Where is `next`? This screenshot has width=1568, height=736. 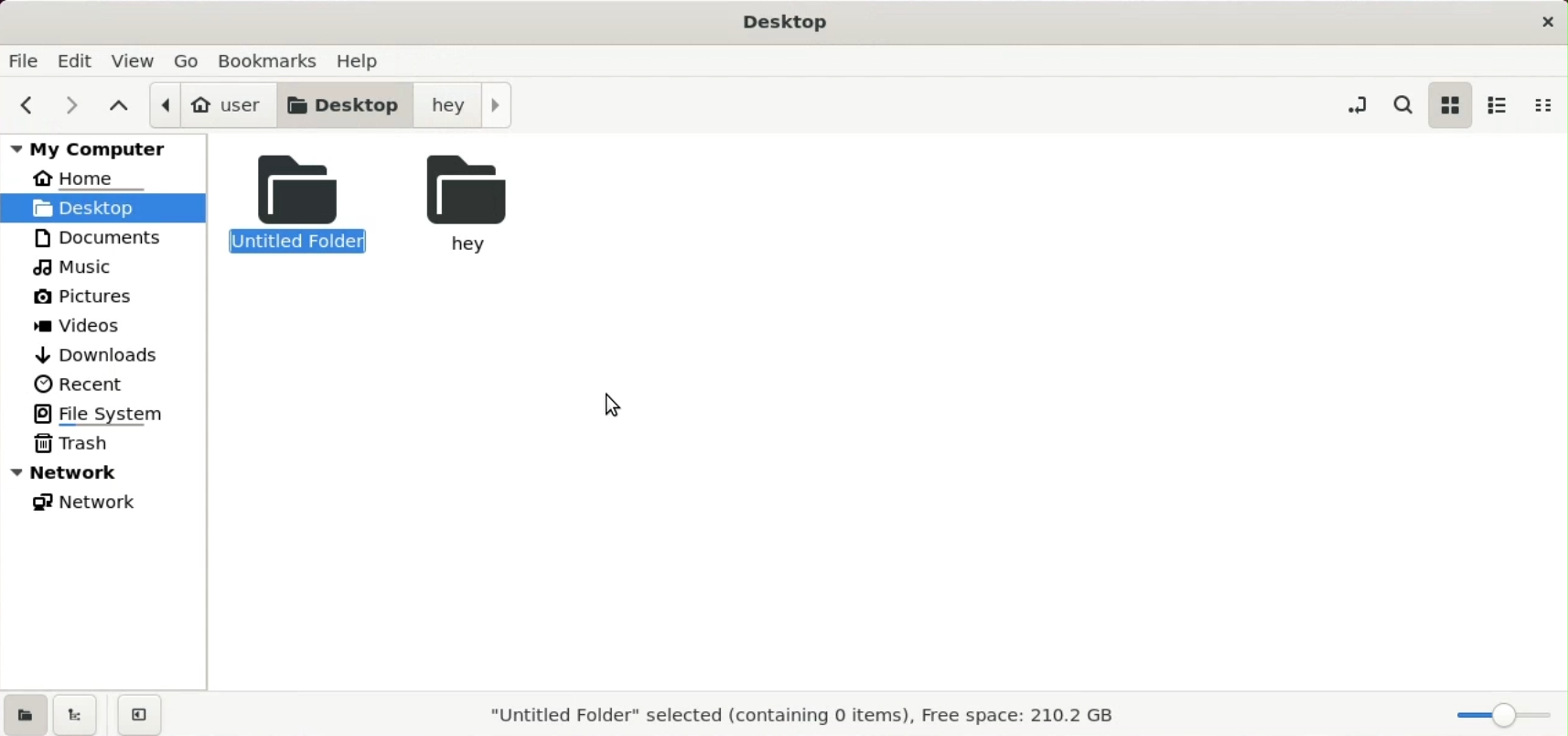
next is located at coordinates (76, 105).